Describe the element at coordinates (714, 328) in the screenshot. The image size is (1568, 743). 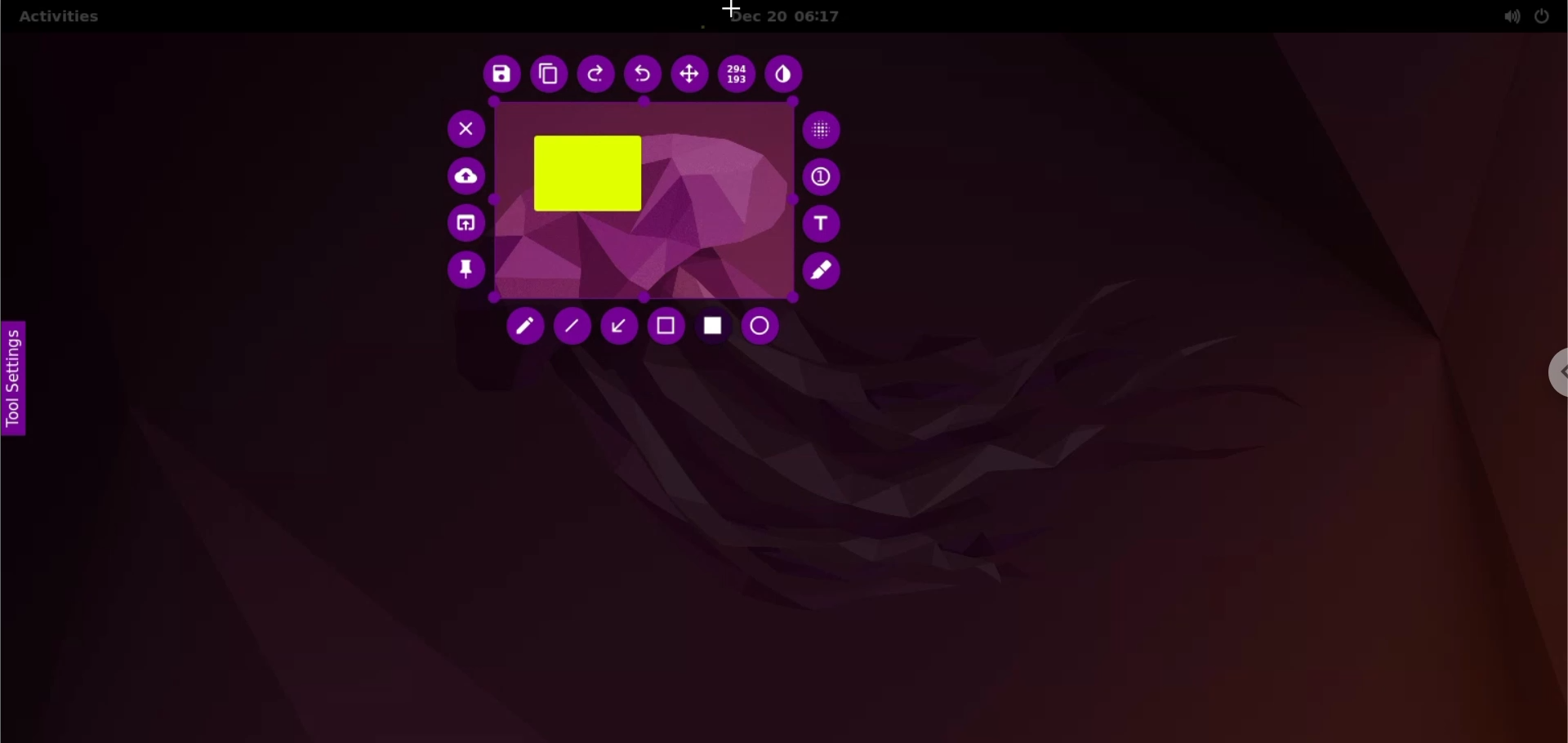
I see `rectangle tool` at that location.